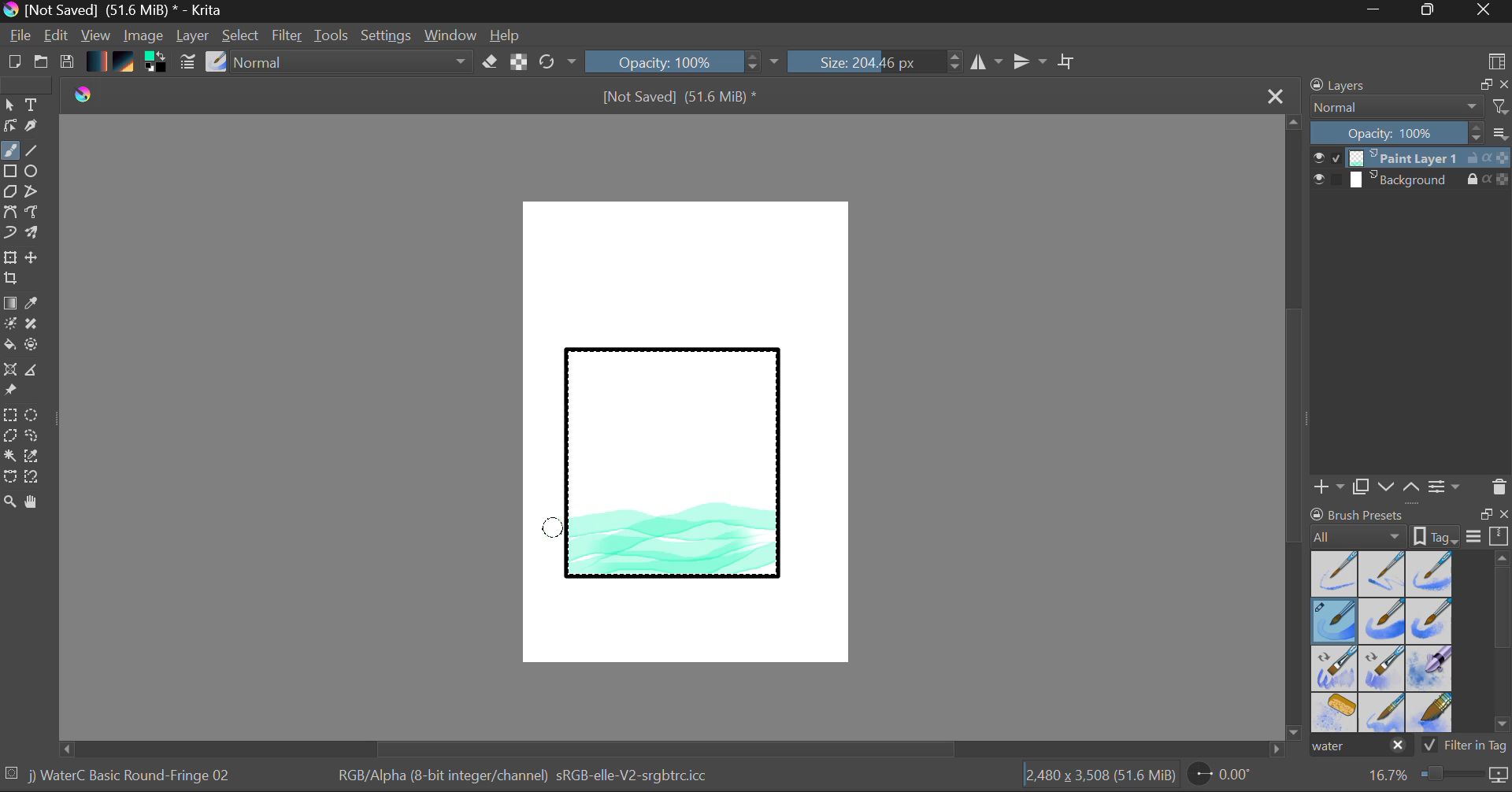 This screenshot has width=1512, height=792. I want to click on Rectangle, so click(11, 172).